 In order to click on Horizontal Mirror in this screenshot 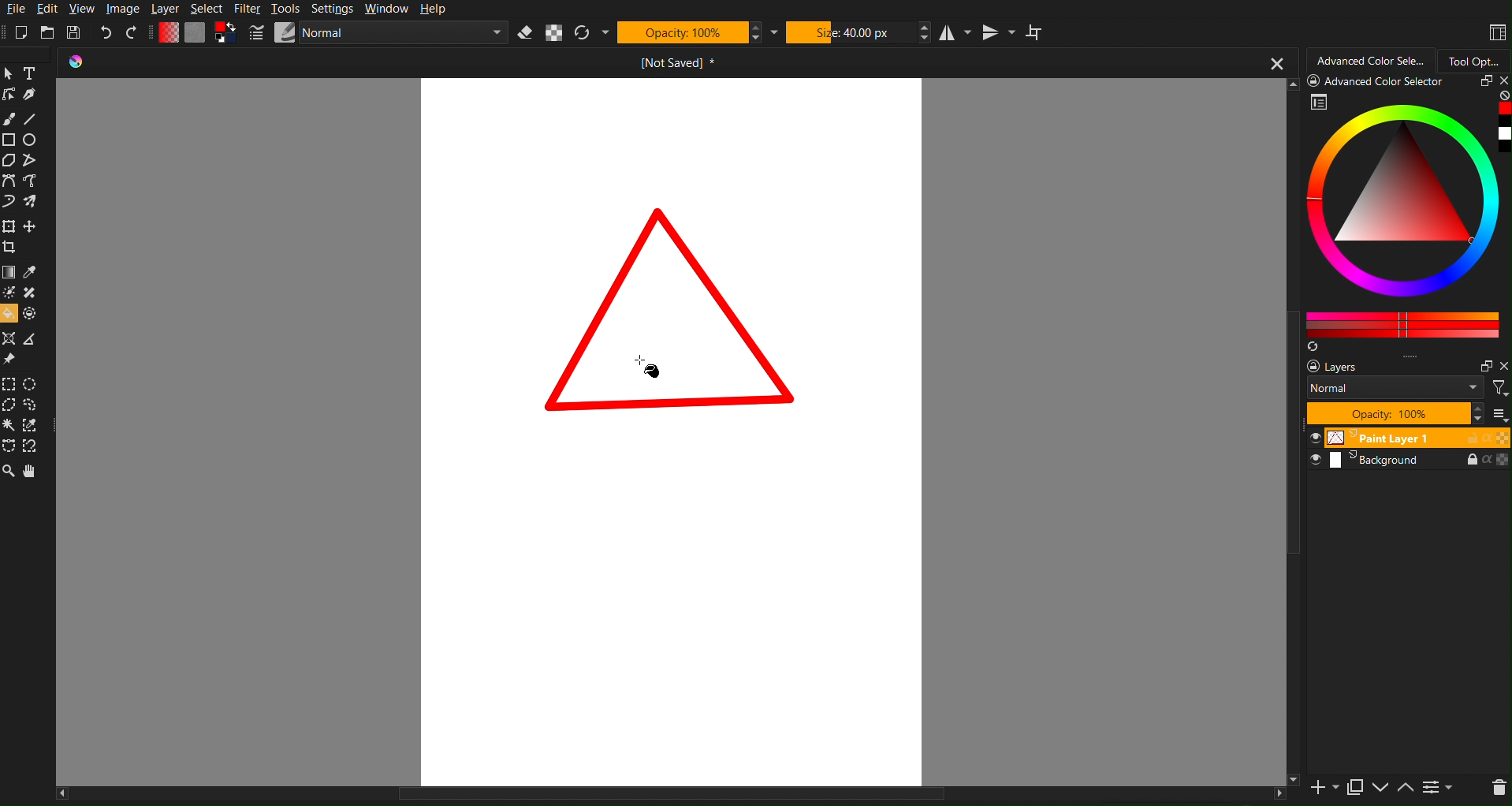, I will do `click(956, 32)`.